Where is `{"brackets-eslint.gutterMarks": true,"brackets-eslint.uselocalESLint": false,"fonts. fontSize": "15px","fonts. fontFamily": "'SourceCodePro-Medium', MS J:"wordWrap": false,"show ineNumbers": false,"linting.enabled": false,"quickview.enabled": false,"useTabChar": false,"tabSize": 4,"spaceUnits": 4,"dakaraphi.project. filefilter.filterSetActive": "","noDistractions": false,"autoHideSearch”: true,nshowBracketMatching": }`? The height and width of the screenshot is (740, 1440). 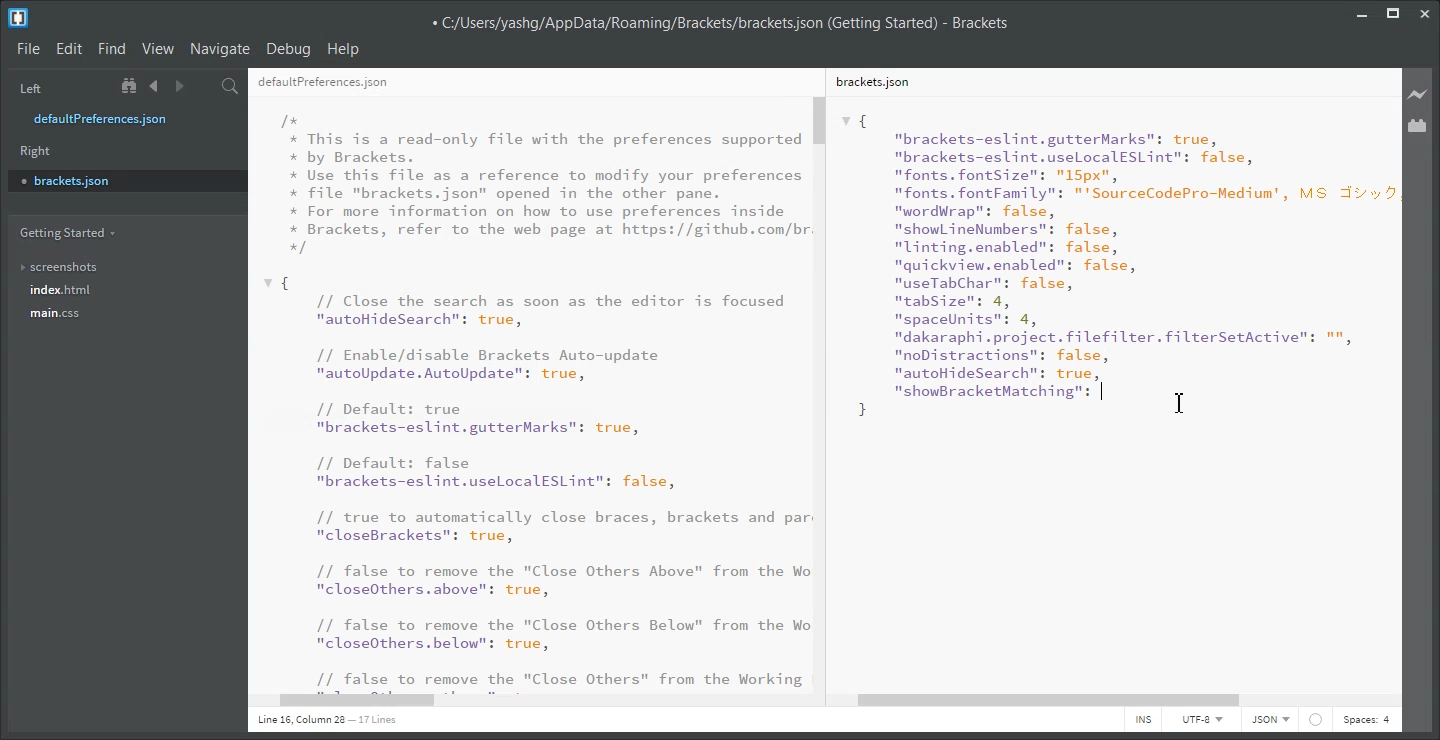
{"brackets-eslint.gutterMarks": true,"brackets-eslint.uselocalESLint": false,"fonts. fontSize": "15px","fonts. fontFamily": "'SourceCodePro-Medium', MS J:"wordWrap": false,"show ineNumbers": false,"linting.enabled": false,"quickview.enabled": false,"useTabChar": false,"tabSize": 4,"spaceUnits": 4,"dakaraphi.project. filefilter.filterSetActive": "","noDistractions": false,"autoHideSearch”: true,nshowBracketMatching": } is located at coordinates (1117, 265).